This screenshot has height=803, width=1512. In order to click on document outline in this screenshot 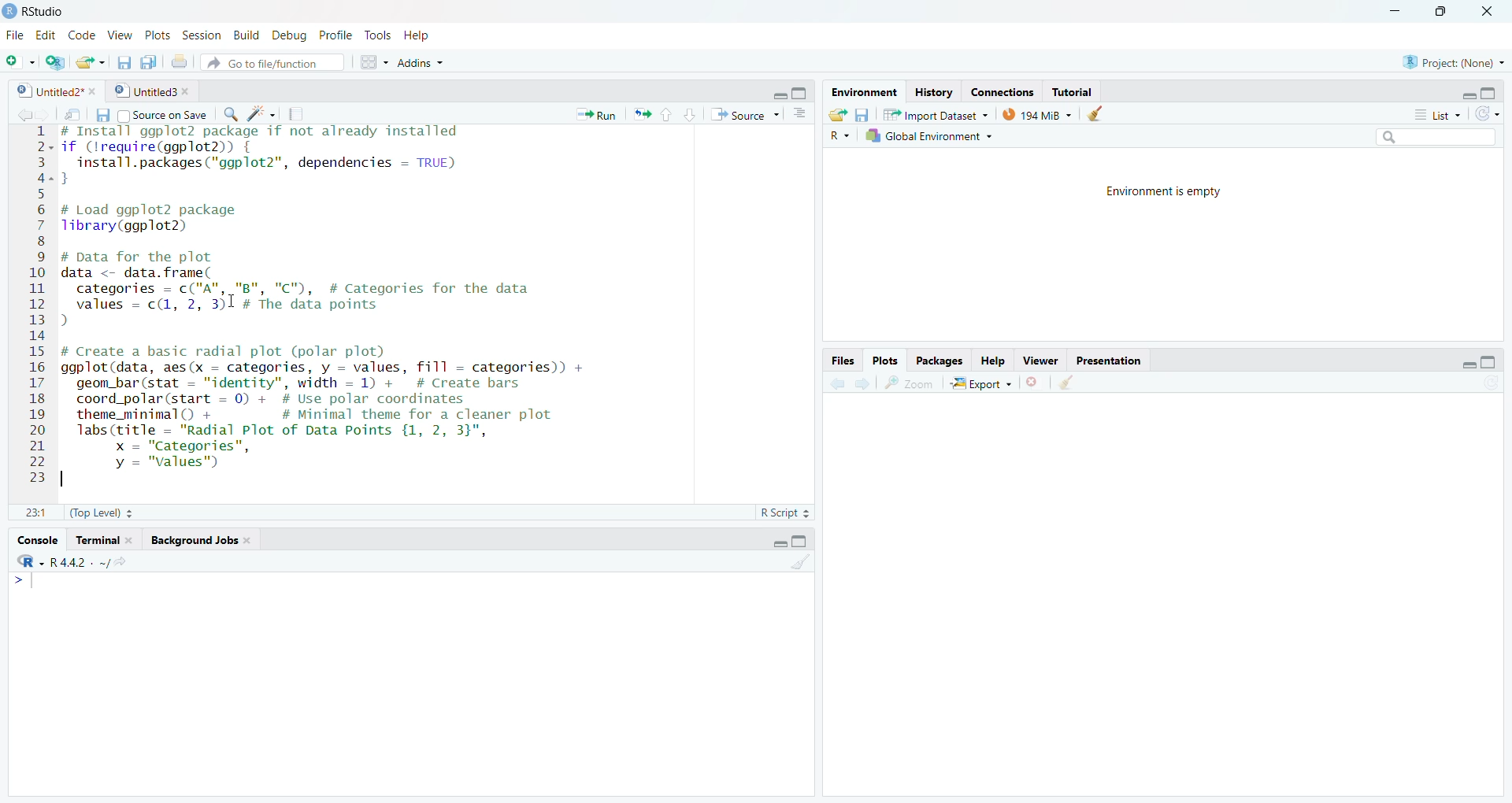, I will do `click(801, 115)`.